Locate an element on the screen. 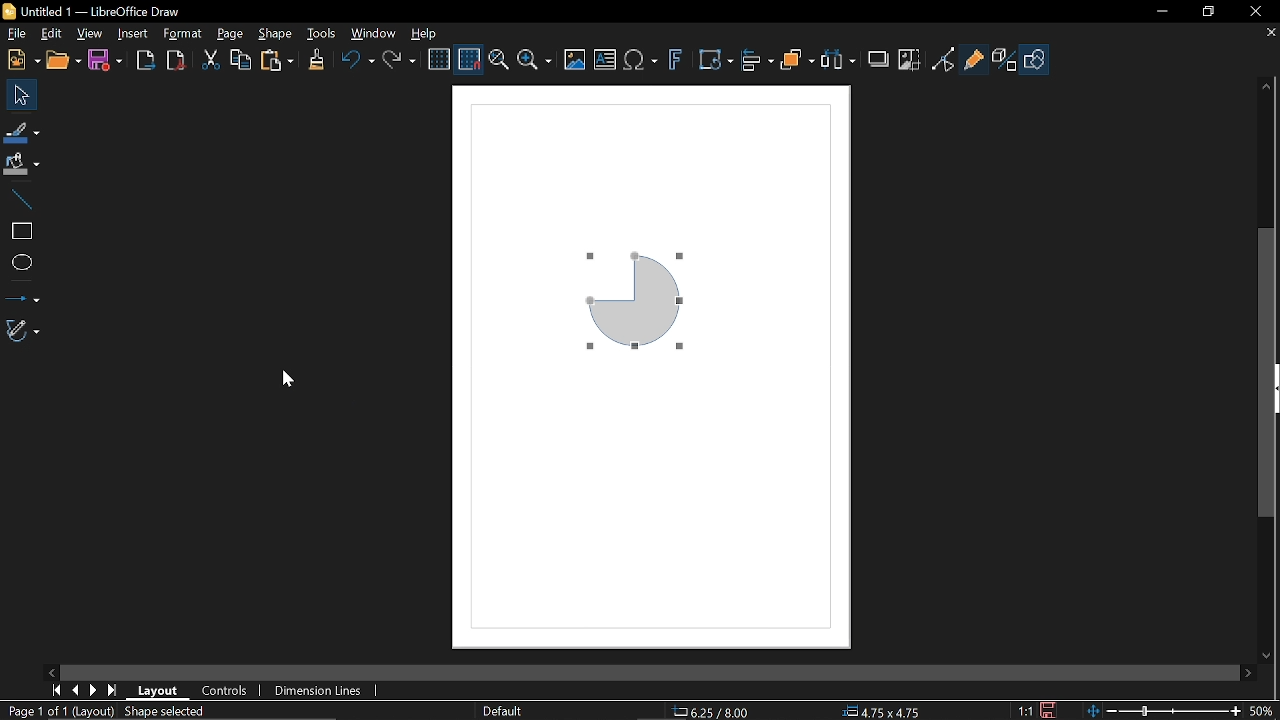 The height and width of the screenshot is (720, 1280). Clone is located at coordinates (316, 61).